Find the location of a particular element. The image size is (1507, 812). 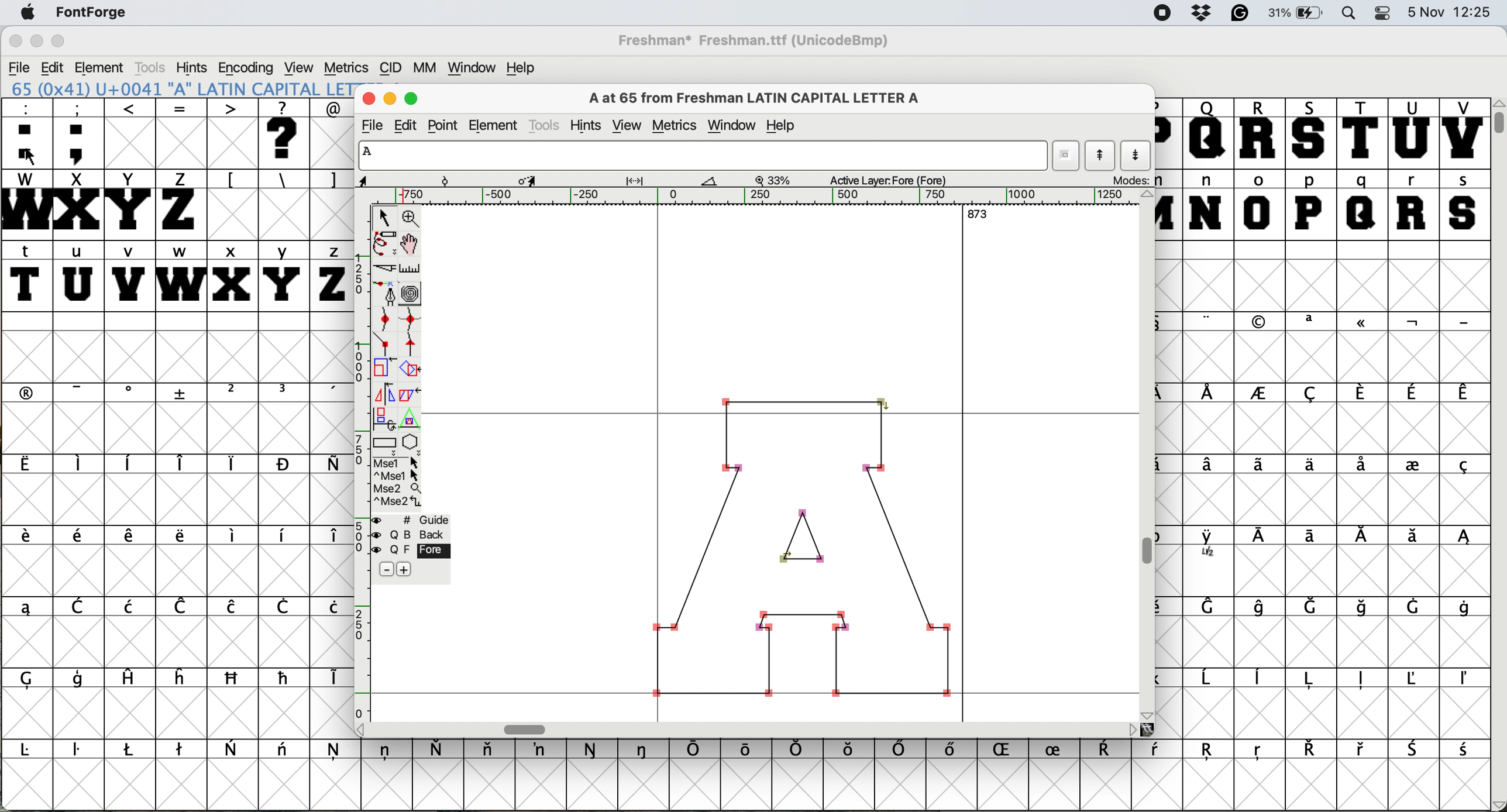

view is located at coordinates (627, 125).